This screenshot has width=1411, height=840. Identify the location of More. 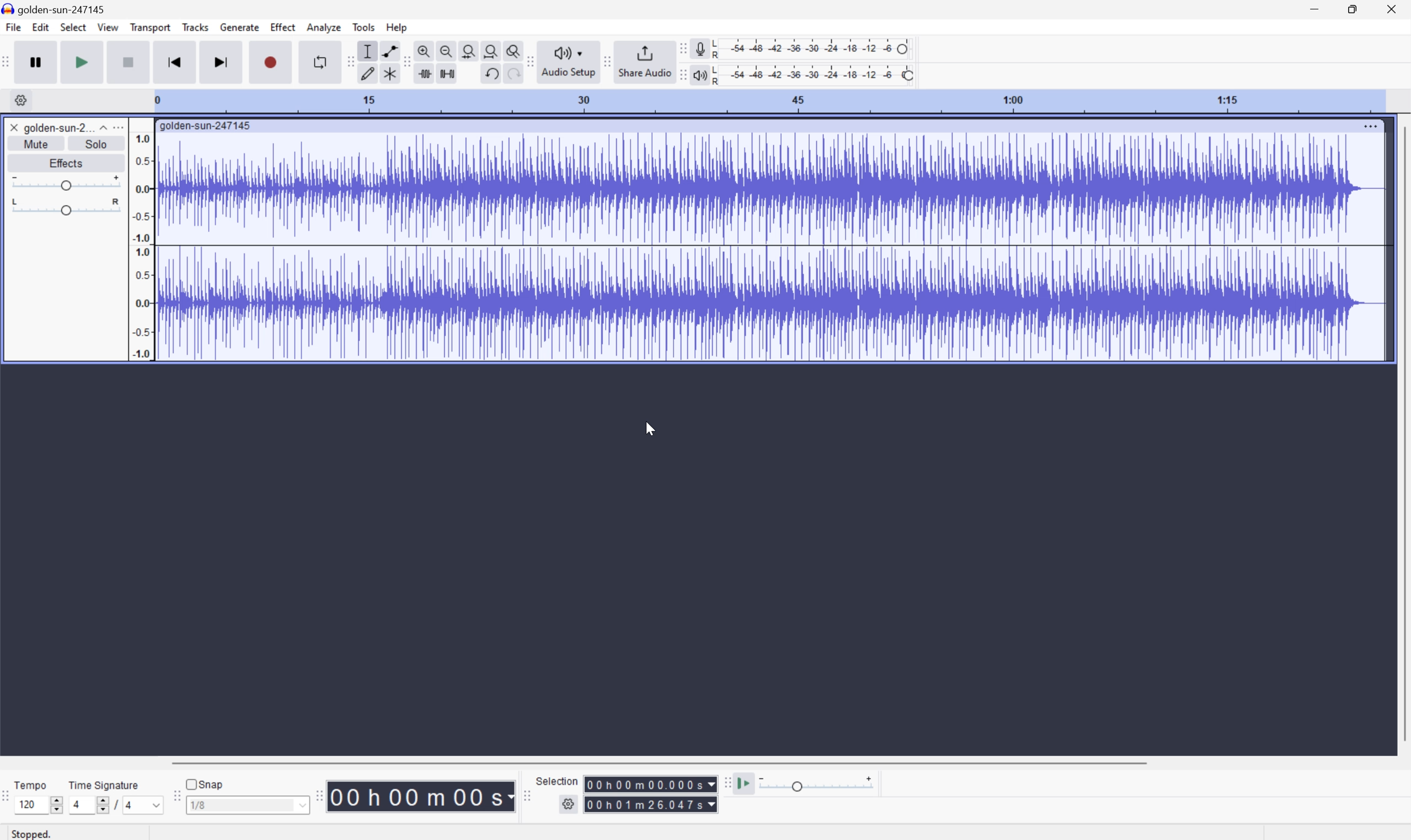
(1370, 126).